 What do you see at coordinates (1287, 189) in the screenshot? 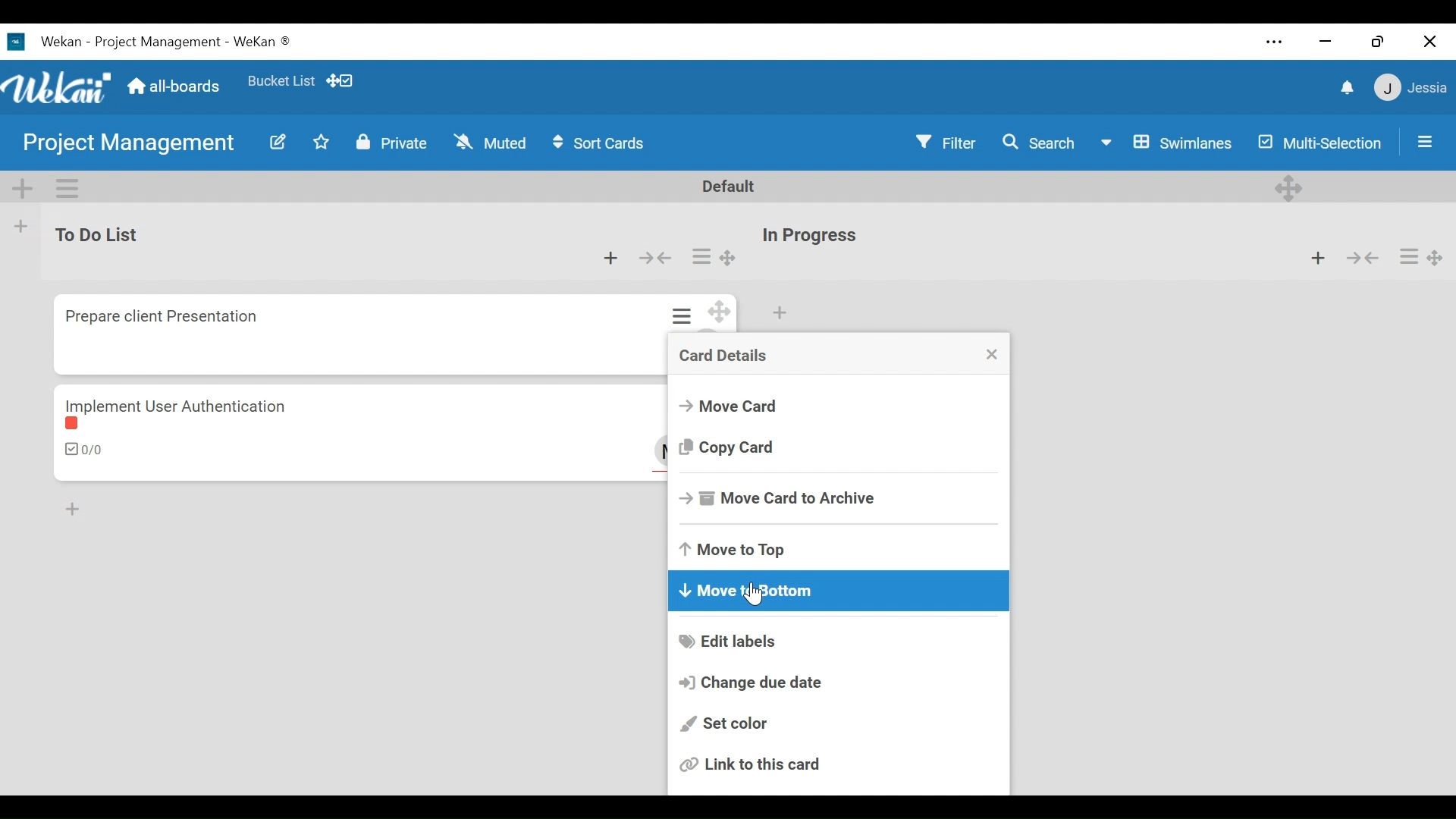
I see `Desktop drag handles` at bounding box center [1287, 189].